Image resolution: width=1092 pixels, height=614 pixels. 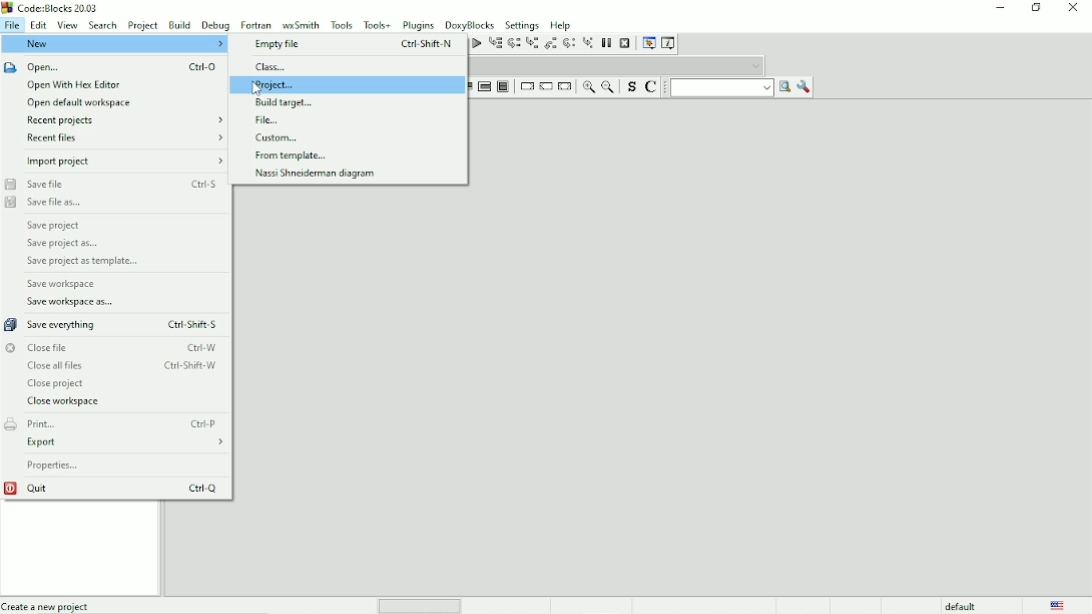 I want to click on Zoom in, so click(x=588, y=87).